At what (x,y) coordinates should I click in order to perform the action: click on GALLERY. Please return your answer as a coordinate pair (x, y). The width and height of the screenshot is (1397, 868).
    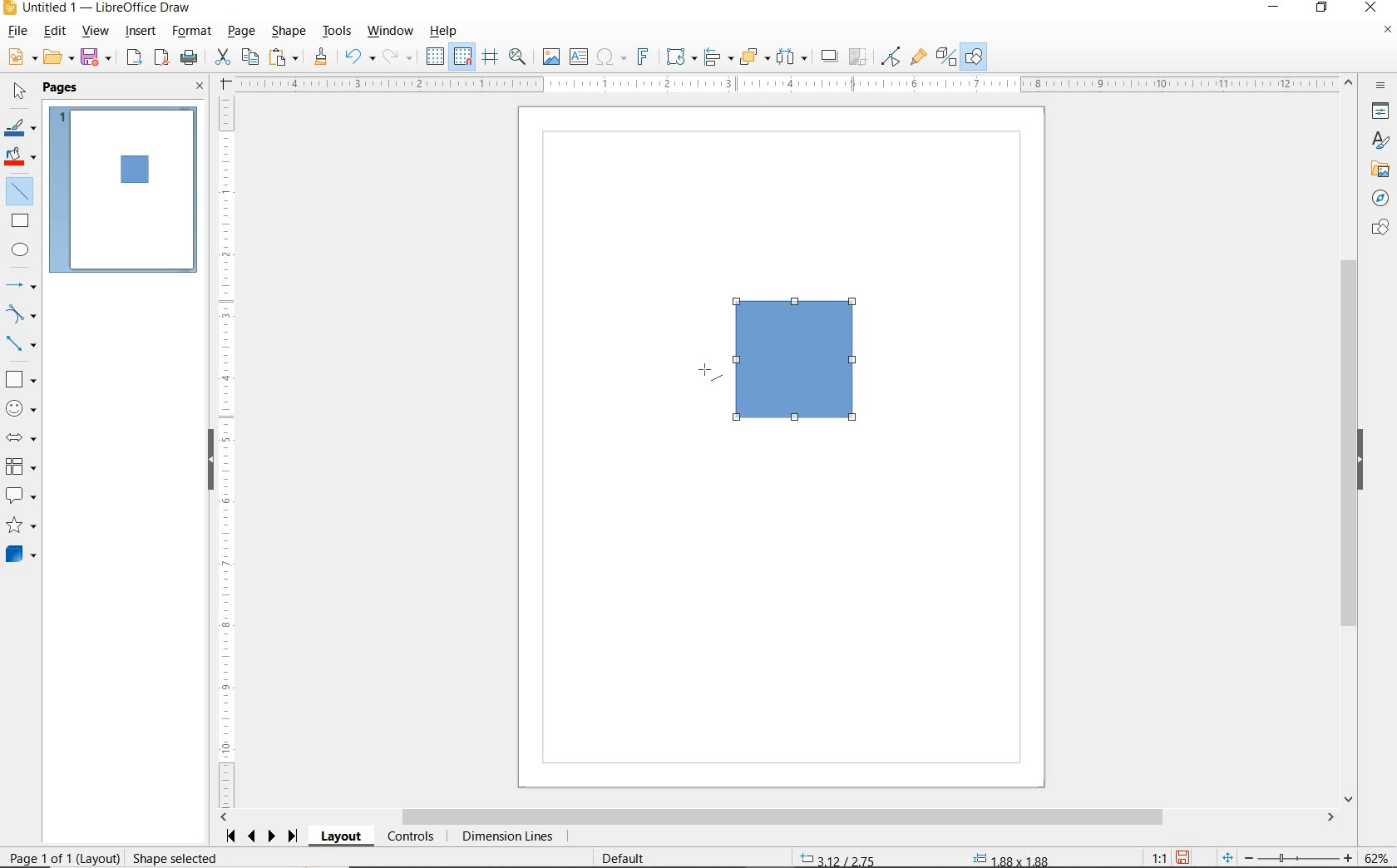
    Looking at the image, I should click on (1378, 168).